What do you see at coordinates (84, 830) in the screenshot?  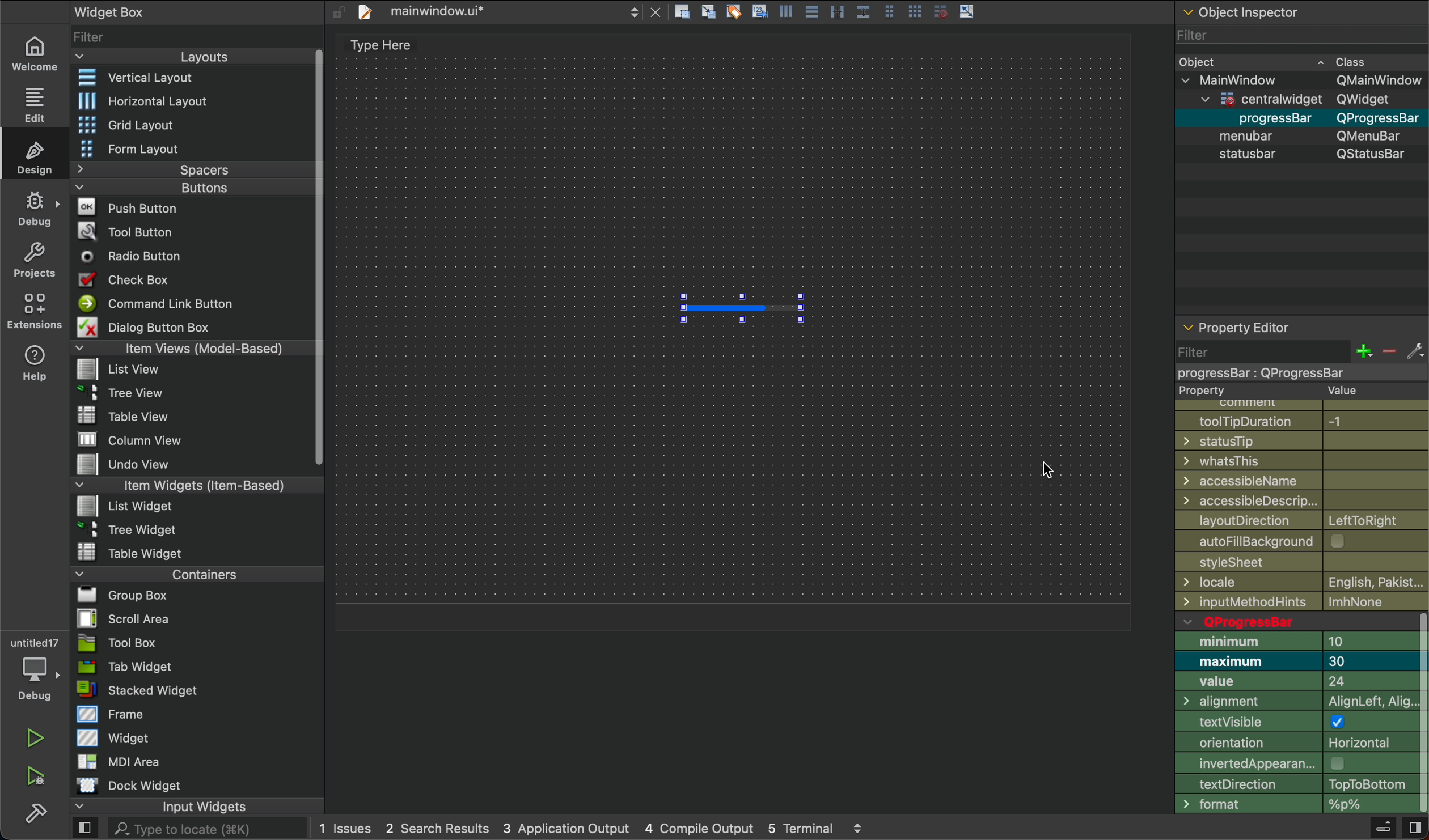 I see `open sidebar` at bounding box center [84, 830].